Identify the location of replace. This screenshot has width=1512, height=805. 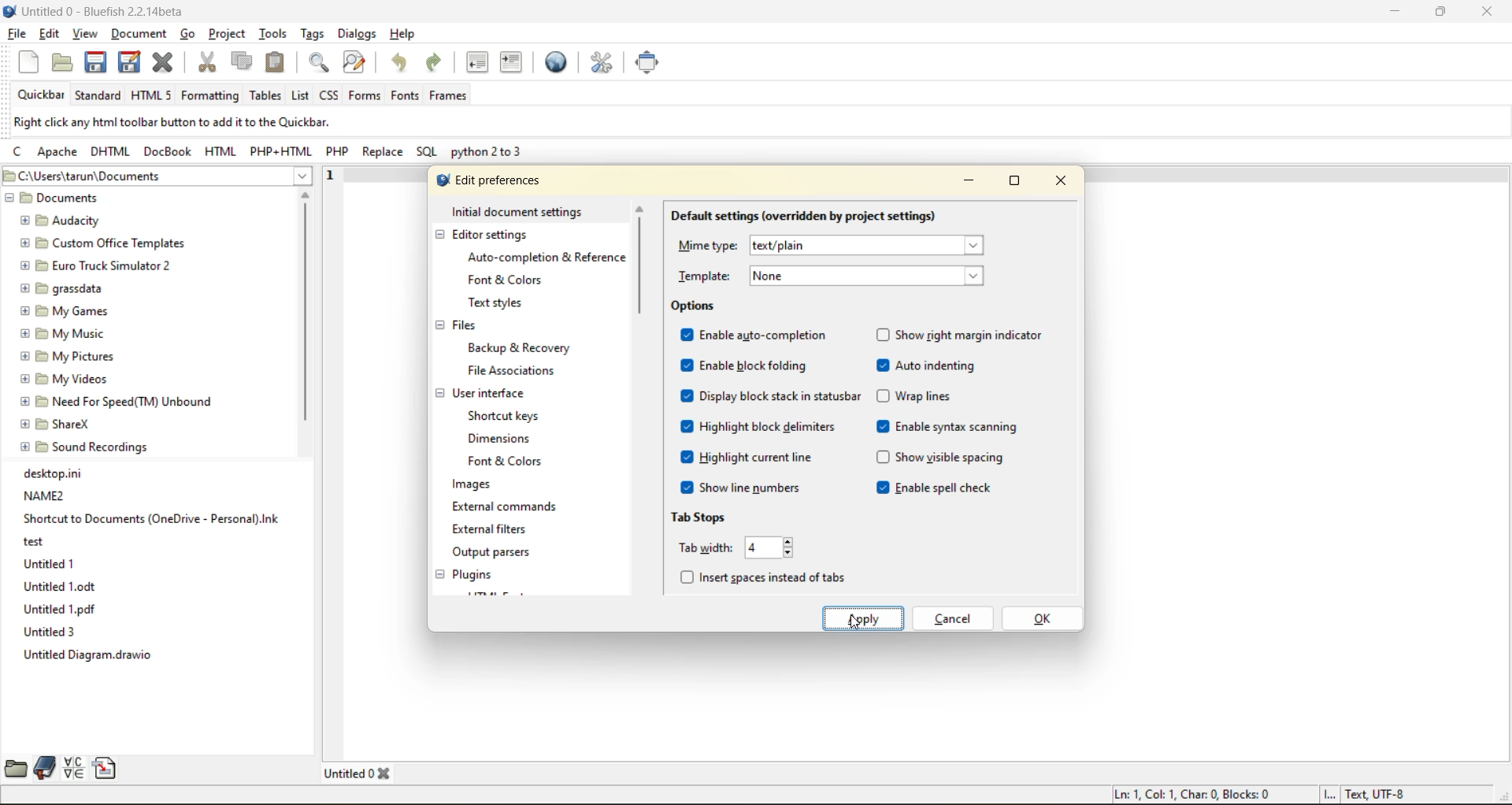
(387, 154).